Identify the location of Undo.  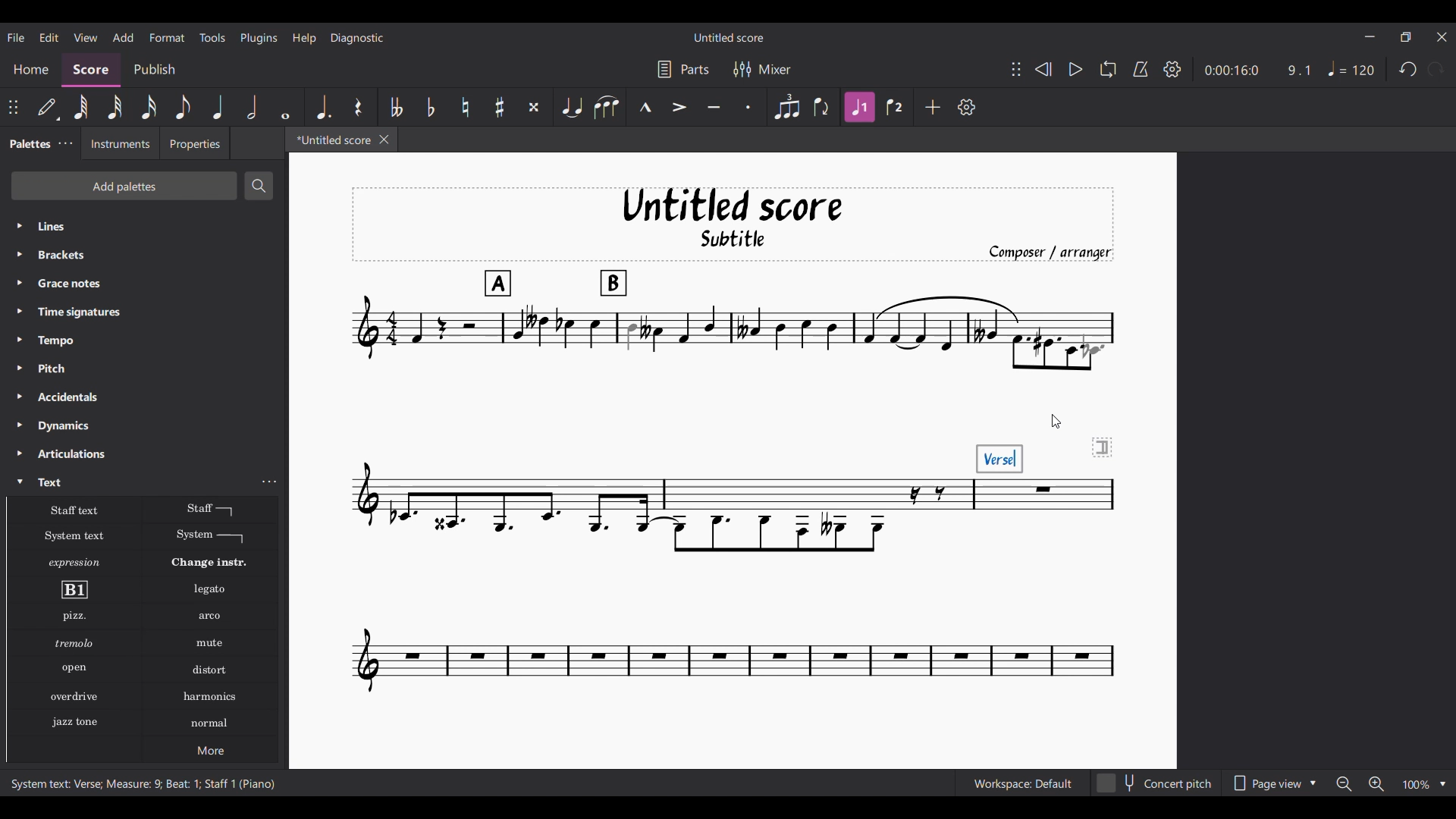
(1409, 68).